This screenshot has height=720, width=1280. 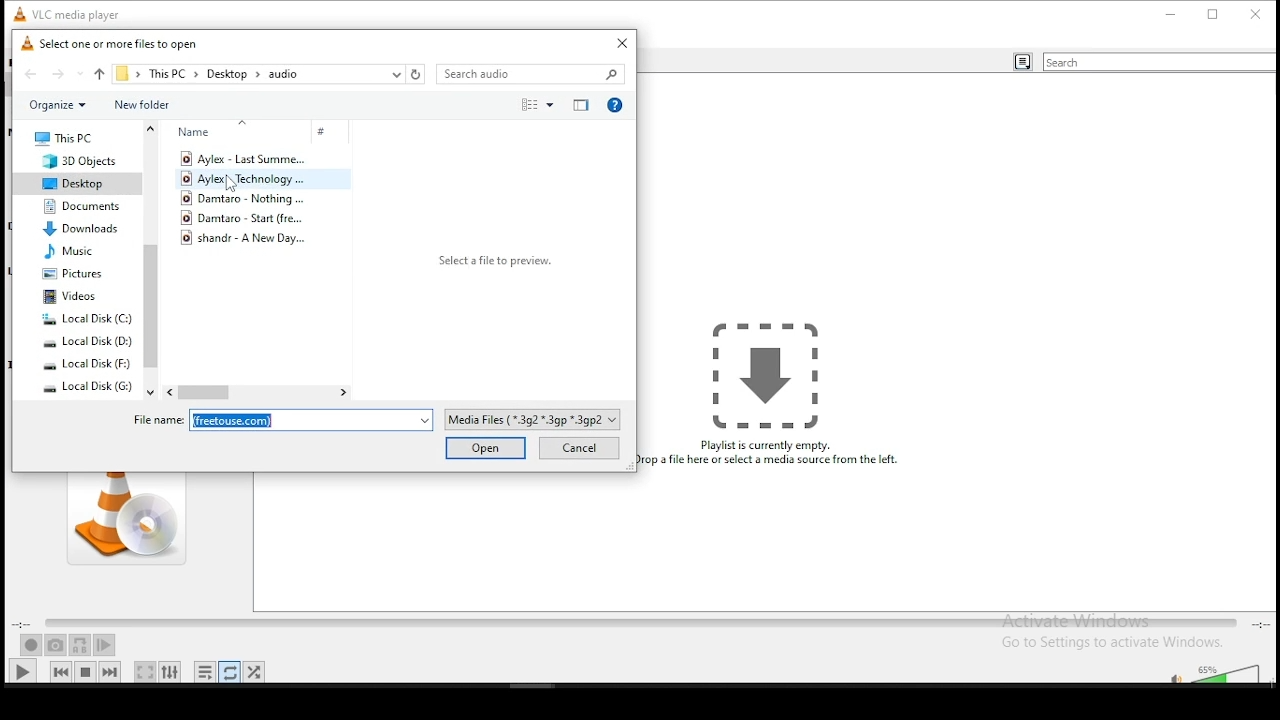 I want to click on local disk (G:), so click(x=88, y=386).